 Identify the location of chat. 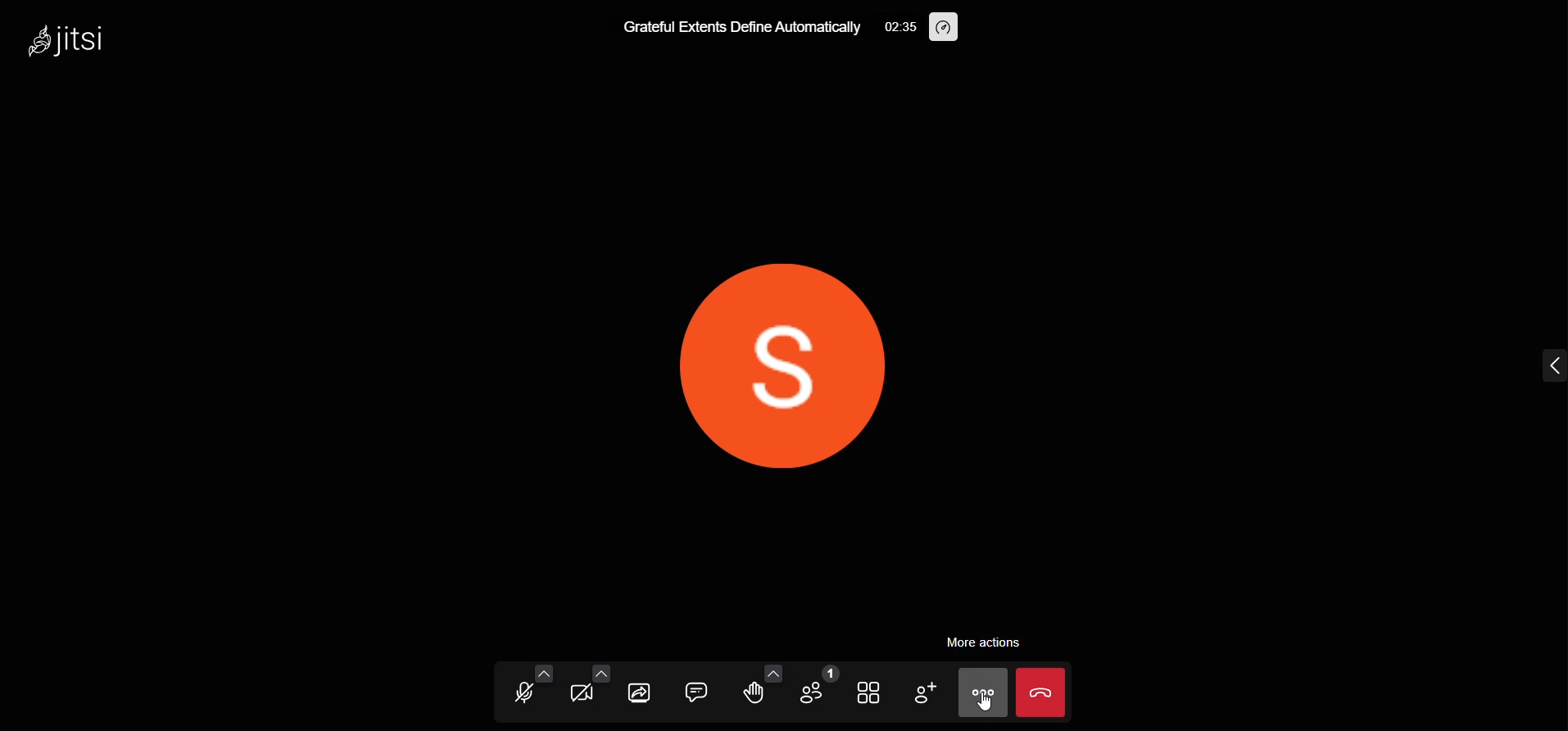
(693, 689).